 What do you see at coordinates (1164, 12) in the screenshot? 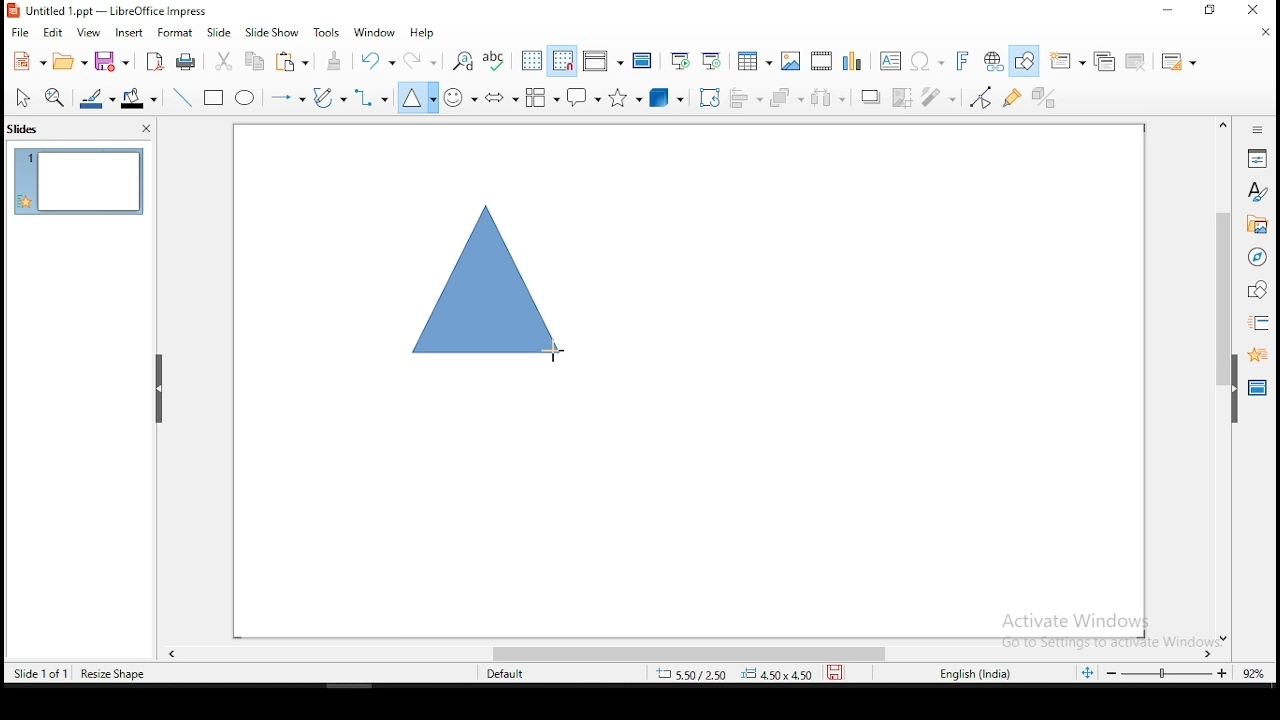
I see `minimize` at bounding box center [1164, 12].